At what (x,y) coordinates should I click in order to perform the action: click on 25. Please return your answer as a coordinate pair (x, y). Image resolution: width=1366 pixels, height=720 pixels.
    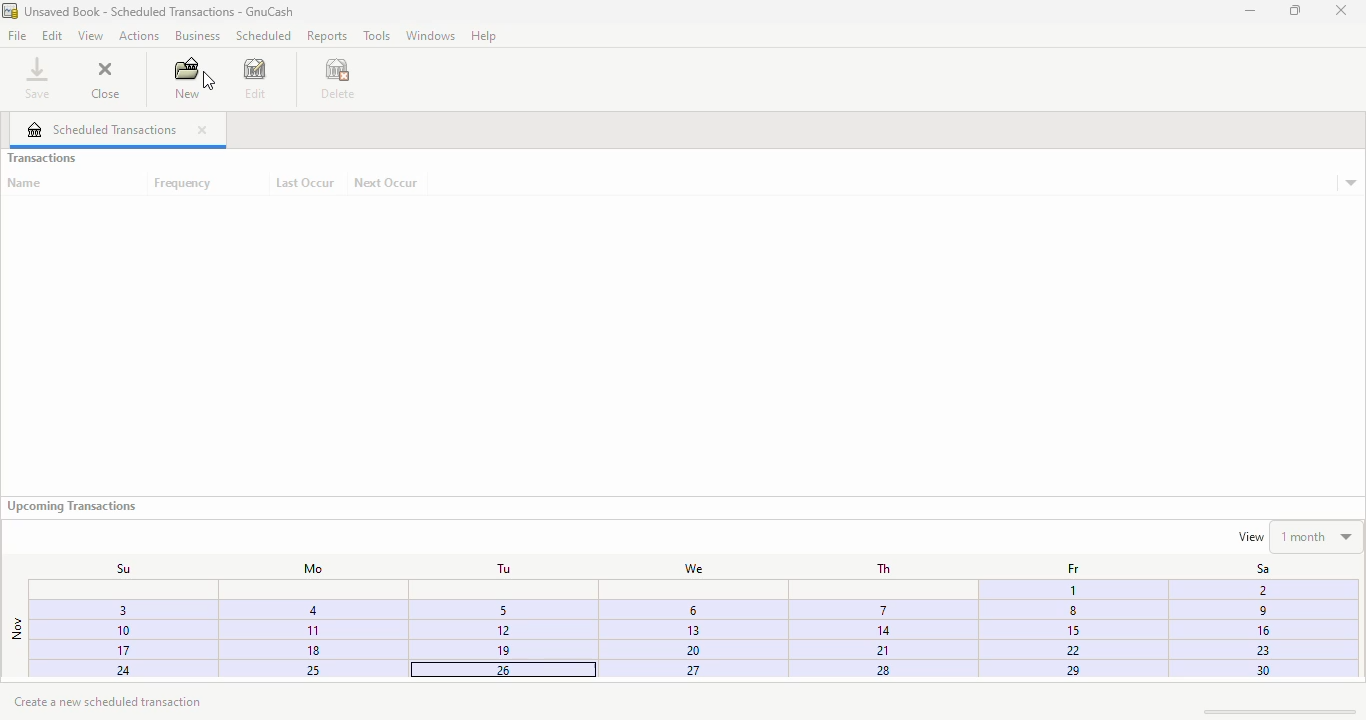
    Looking at the image, I should click on (302, 670).